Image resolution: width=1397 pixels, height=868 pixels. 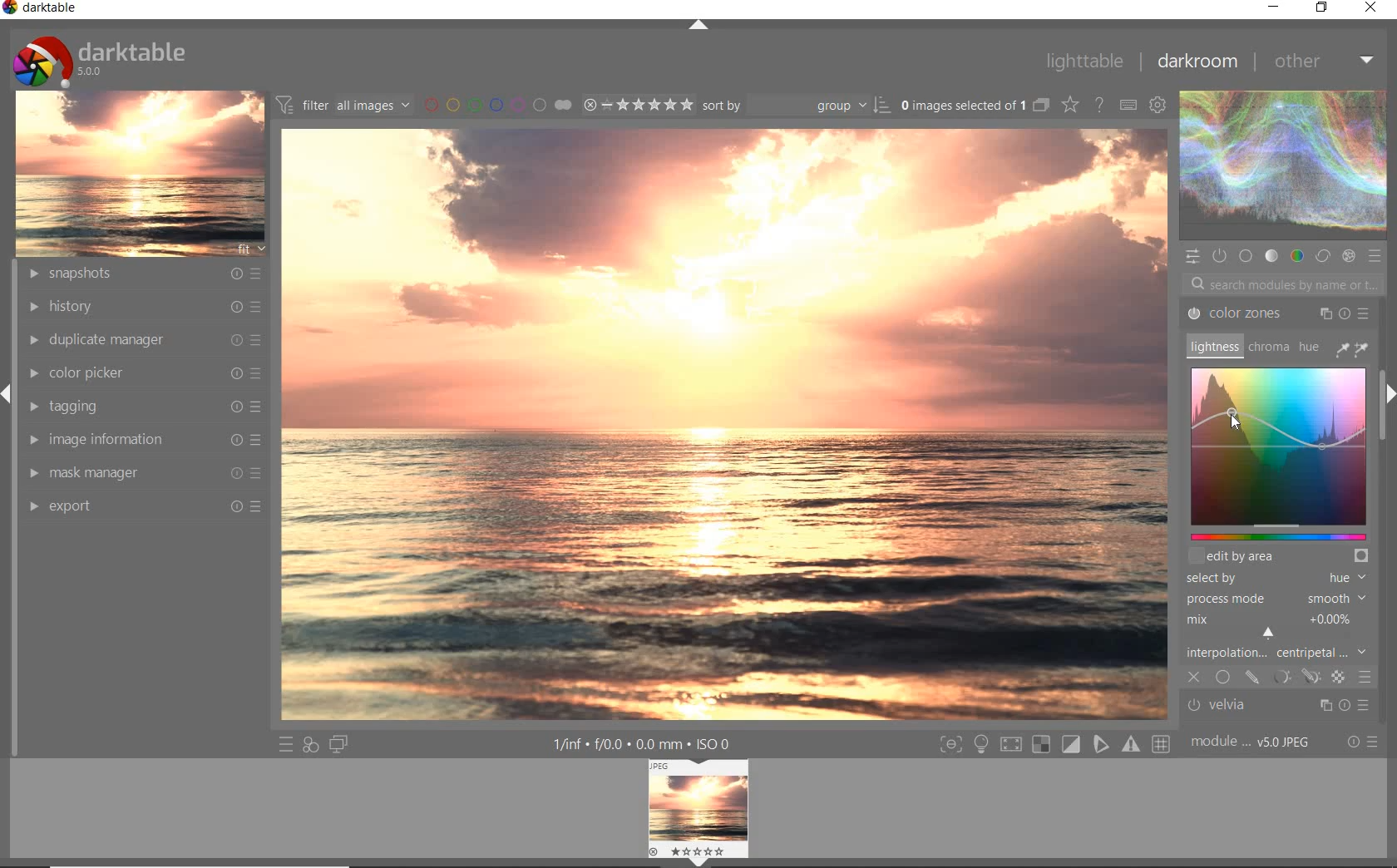 I want to click on CHANGE TYPE FOR OVER RELAY, so click(x=1069, y=104).